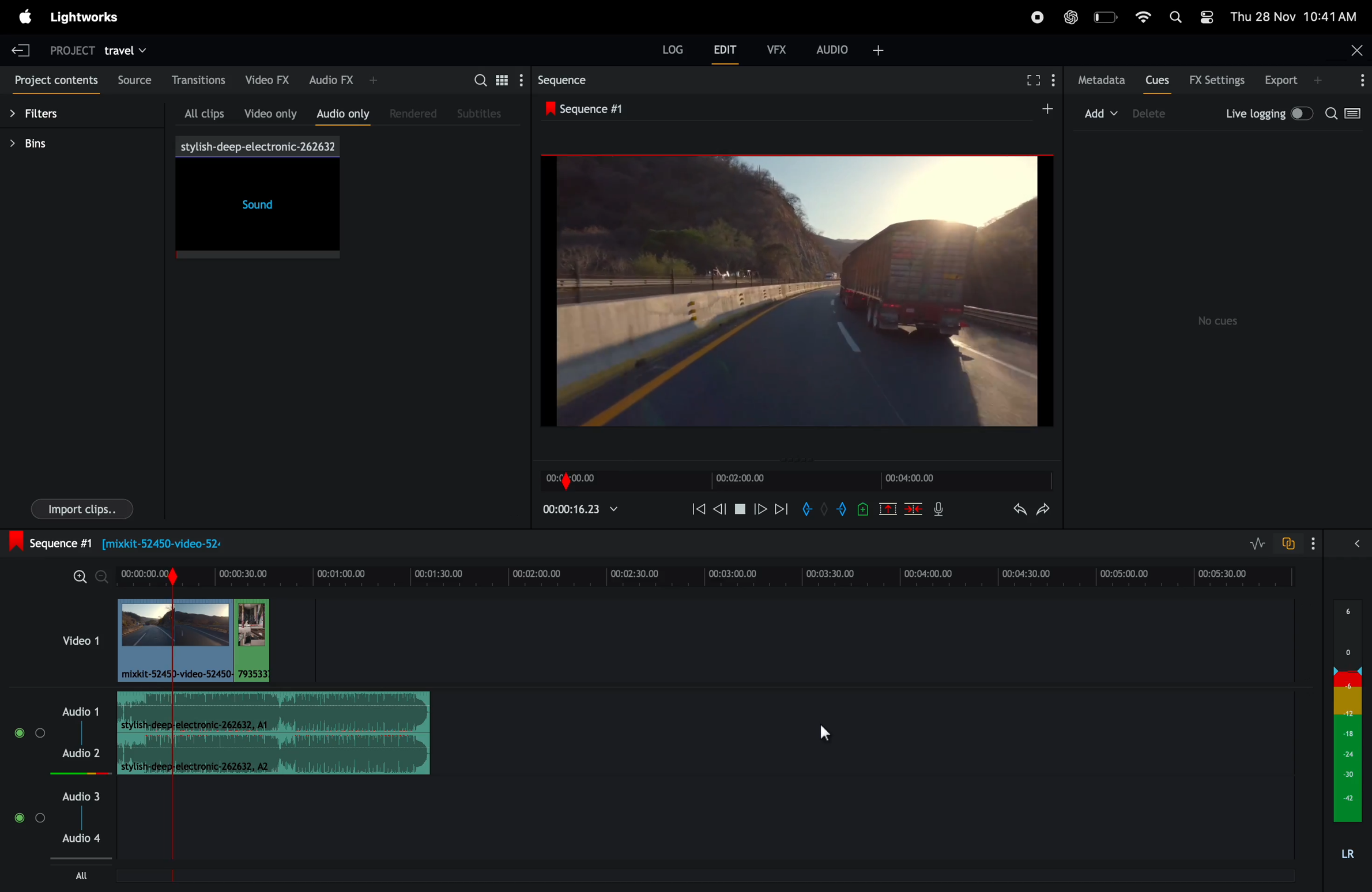  I want to click on video fx, so click(267, 79).